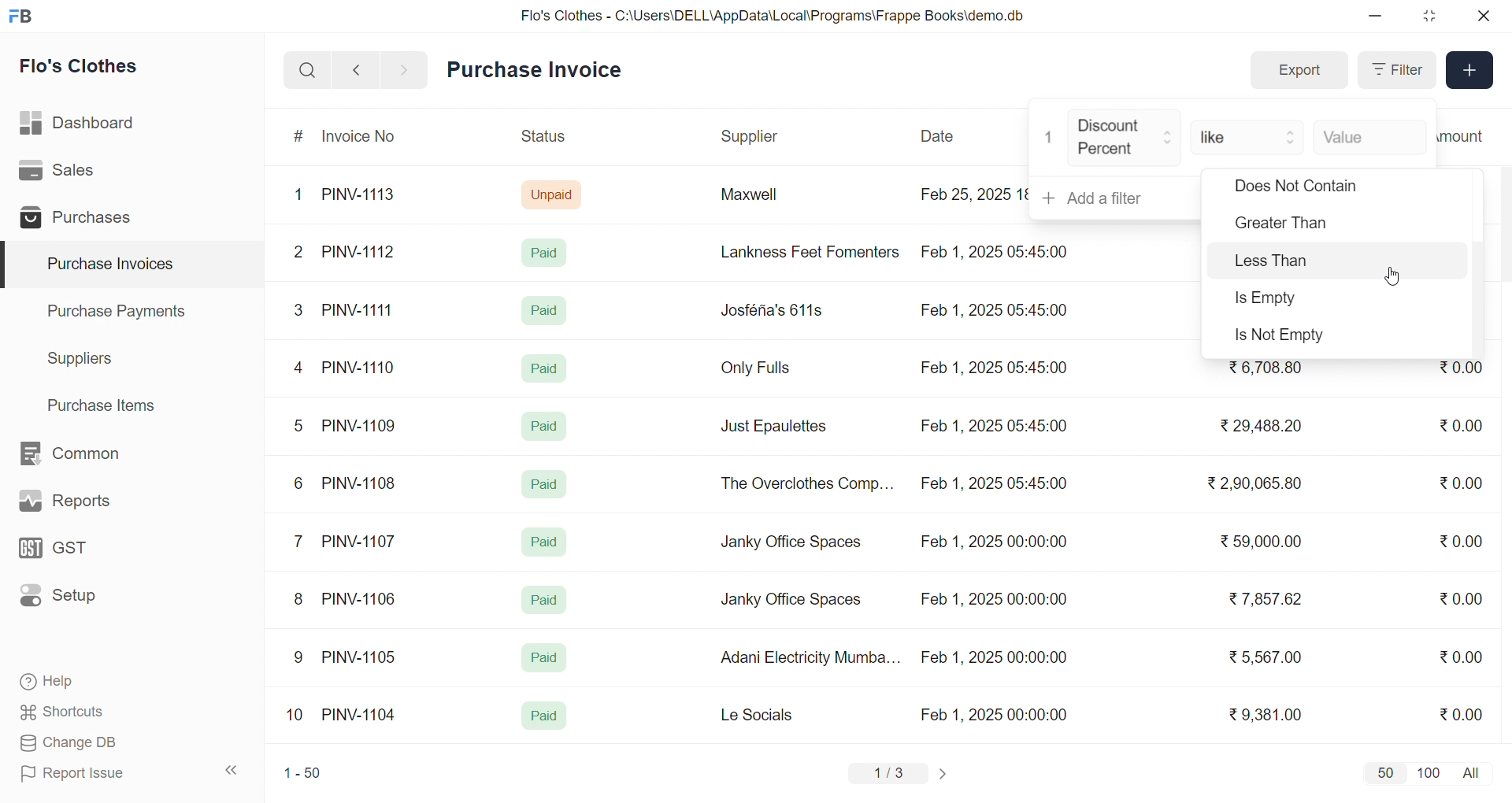 The width and height of the screenshot is (1512, 803). What do you see at coordinates (1303, 226) in the screenshot?
I see `Greater Than` at bounding box center [1303, 226].